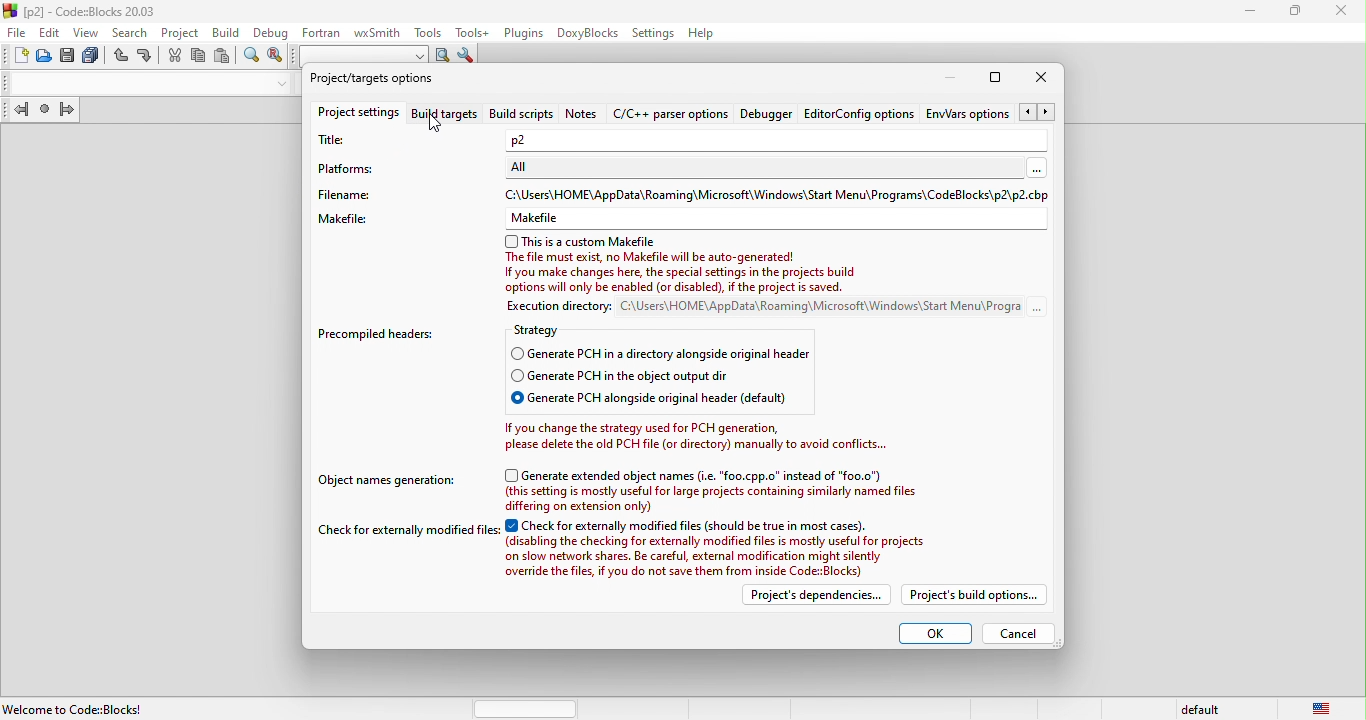  I want to click on save, so click(69, 57).